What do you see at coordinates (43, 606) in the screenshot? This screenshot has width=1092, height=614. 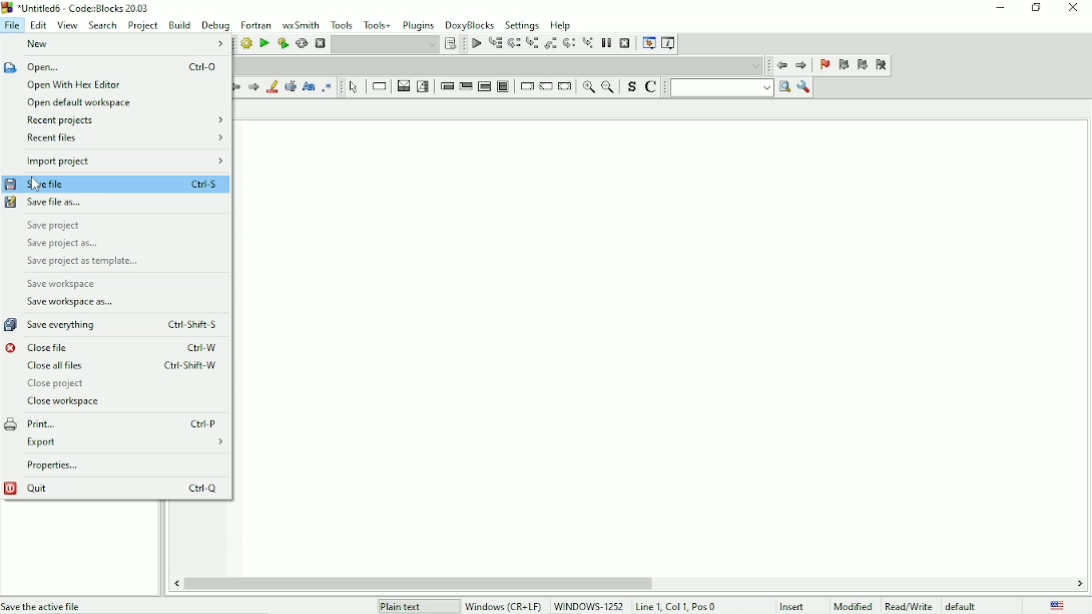 I see `Save the active file` at bounding box center [43, 606].